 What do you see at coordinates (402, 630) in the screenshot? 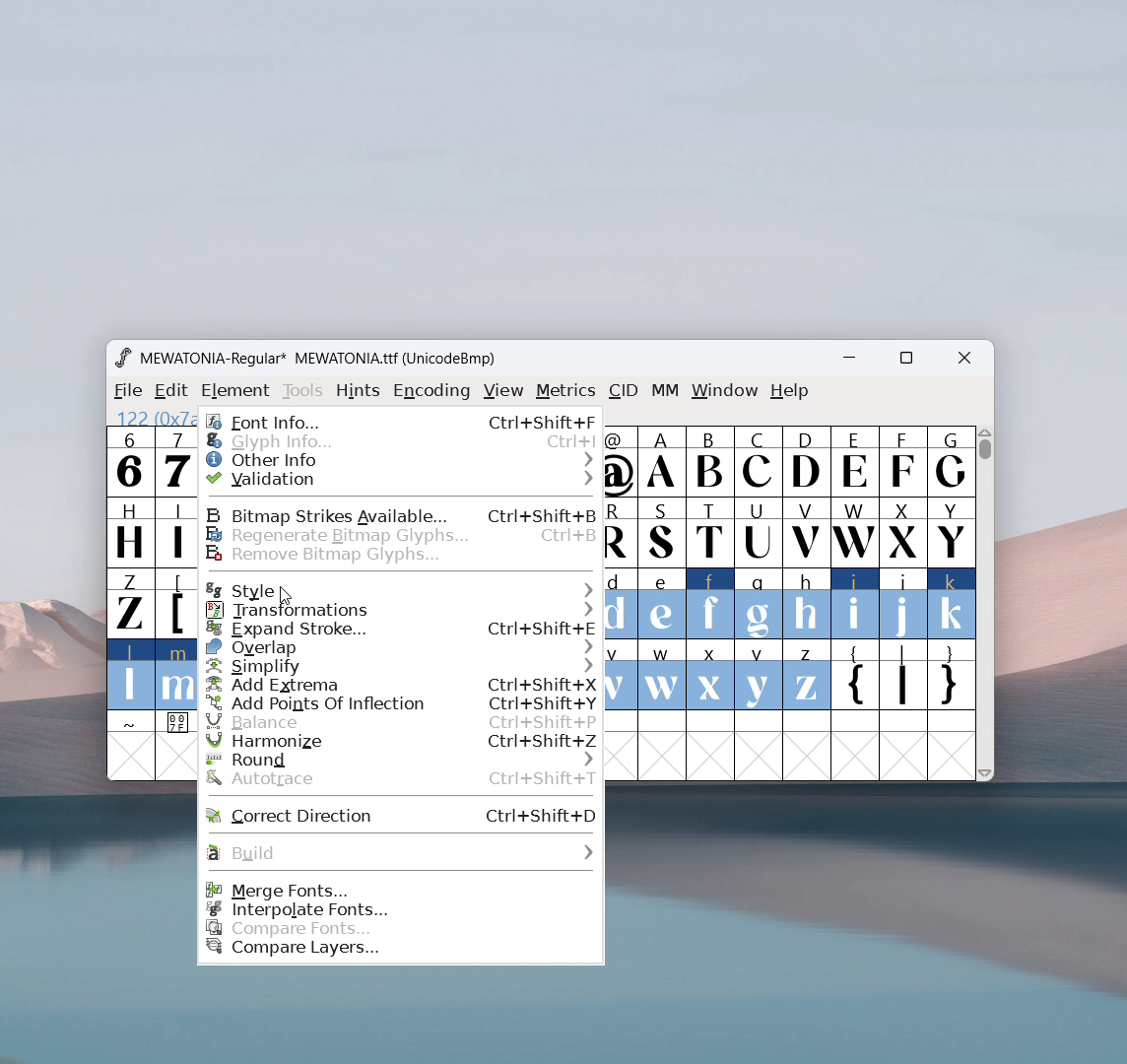
I see `expand stroke` at bounding box center [402, 630].